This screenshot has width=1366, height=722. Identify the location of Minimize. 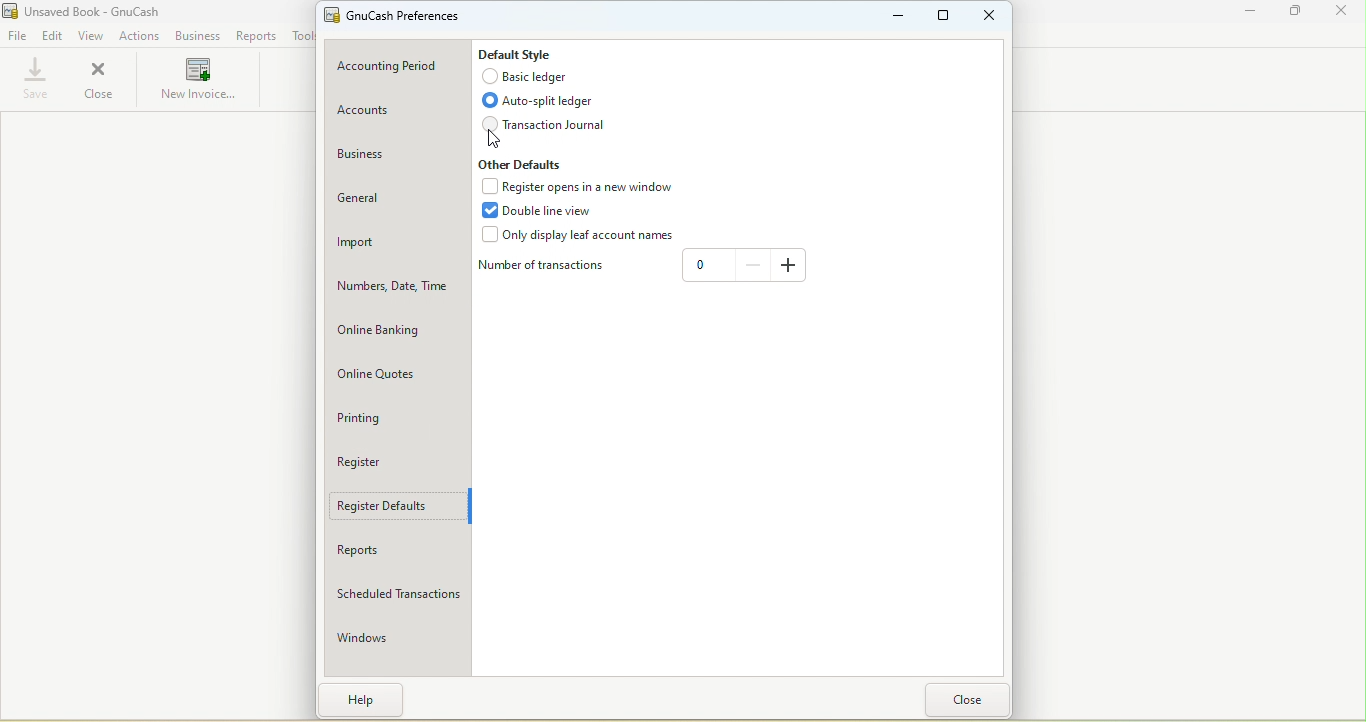
(896, 18).